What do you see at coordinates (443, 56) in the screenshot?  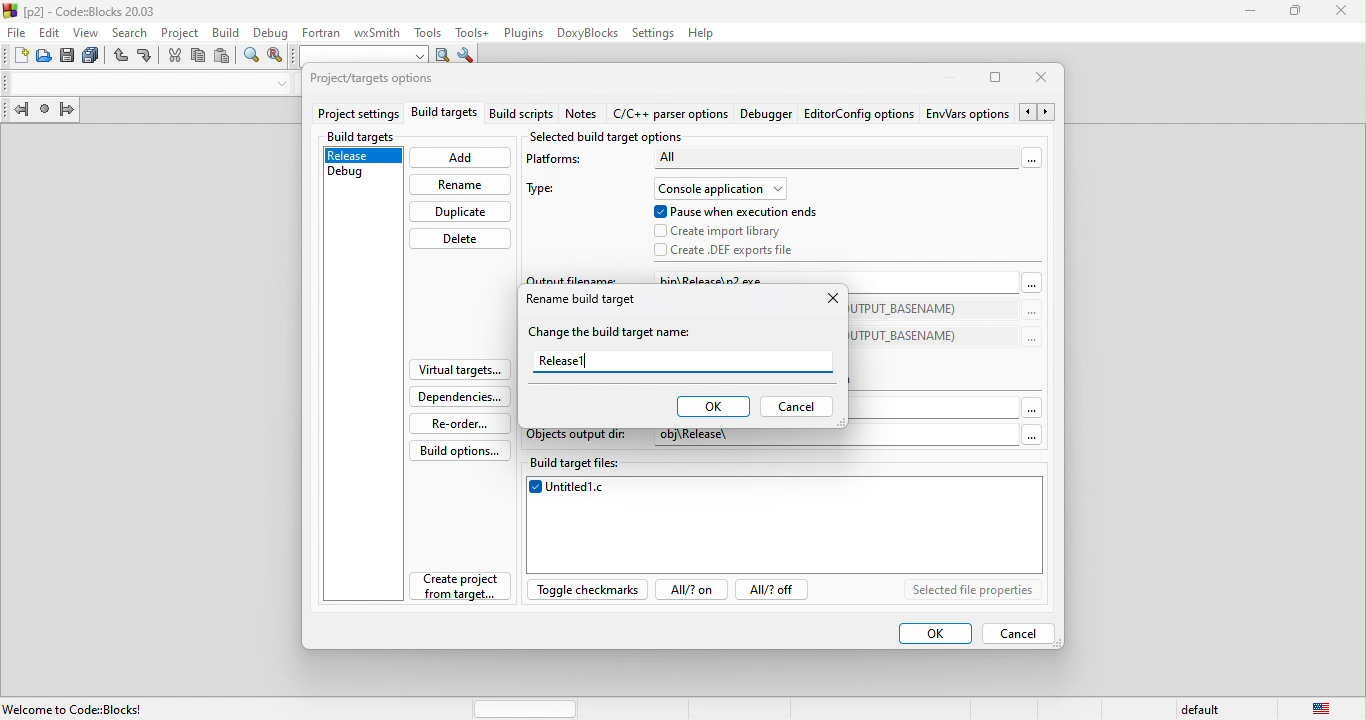 I see `run search` at bounding box center [443, 56].